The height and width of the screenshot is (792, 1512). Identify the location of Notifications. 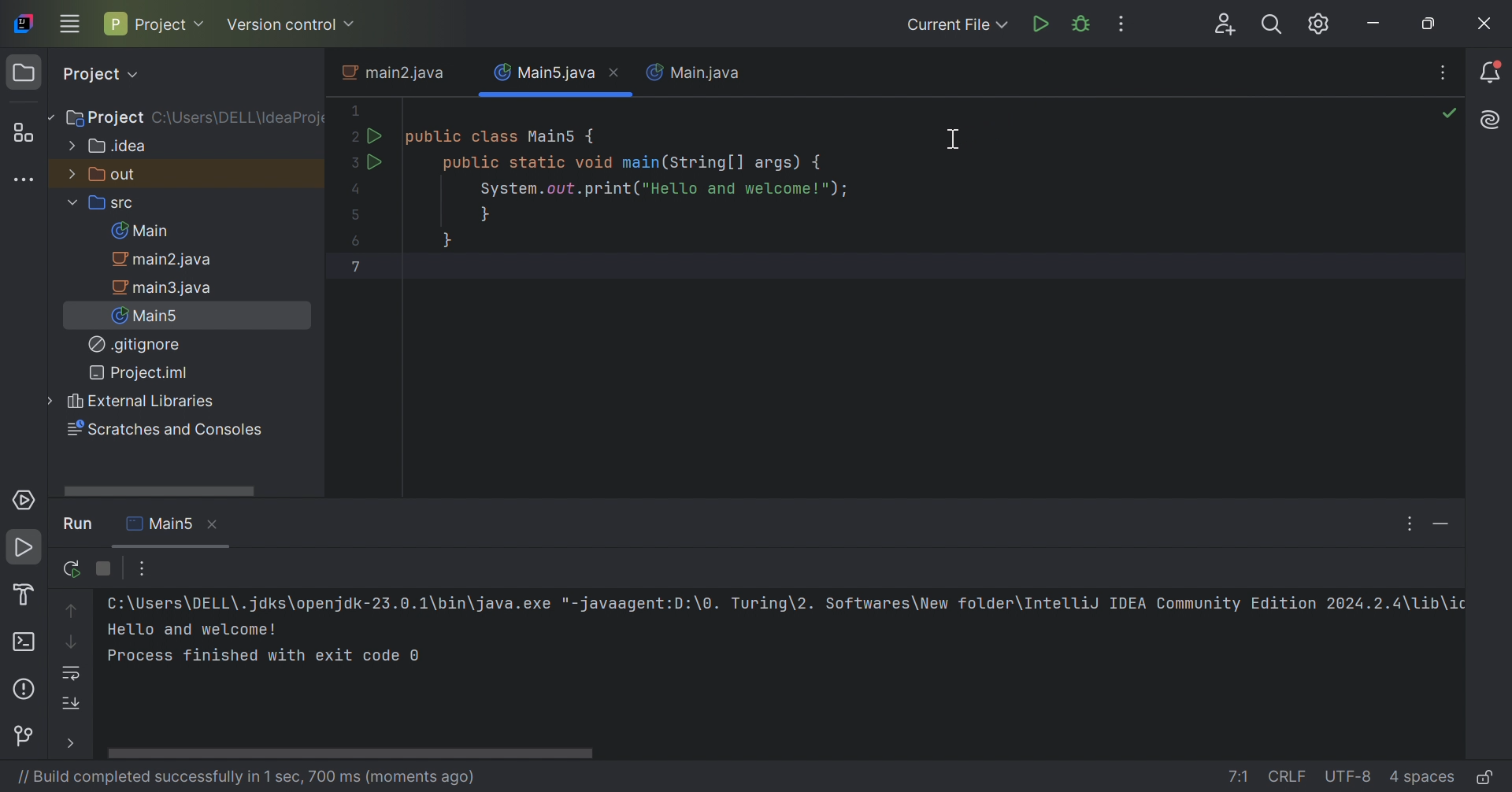
(1495, 71).